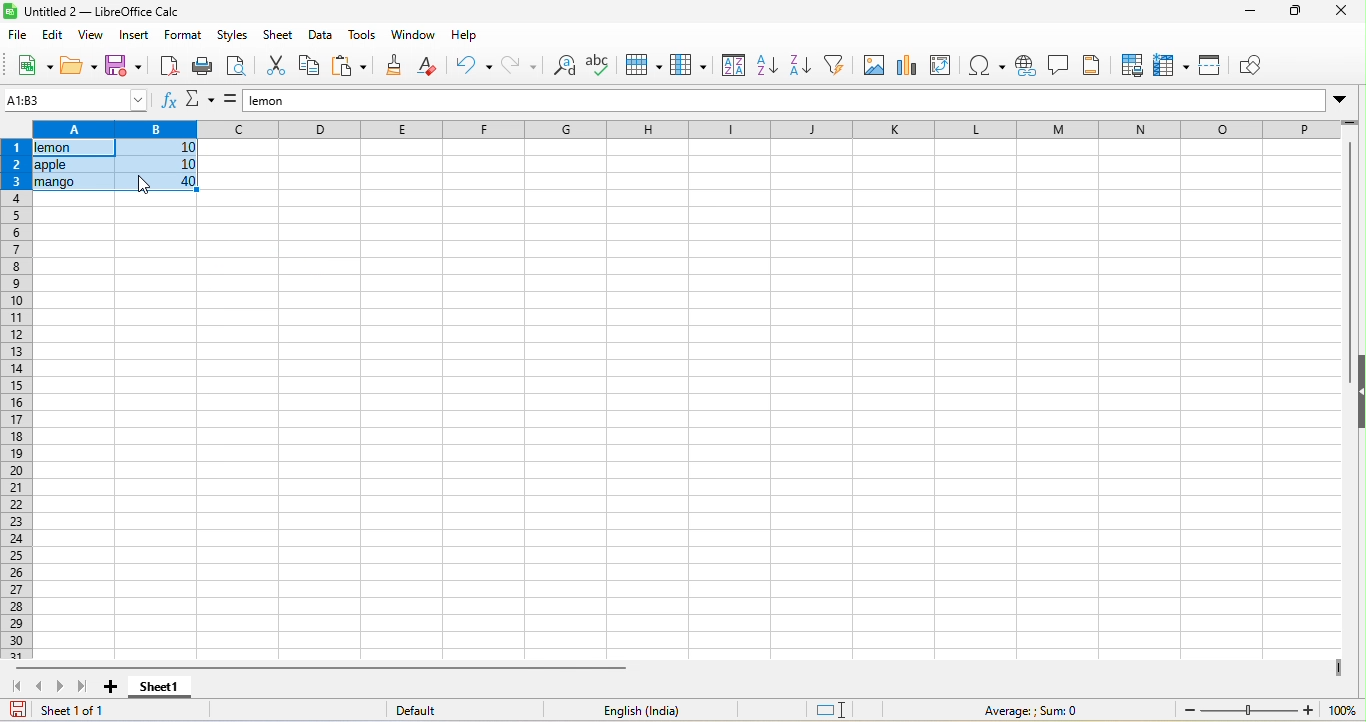  Describe the element at coordinates (168, 102) in the screenshot. I see `function wizard` at that location.